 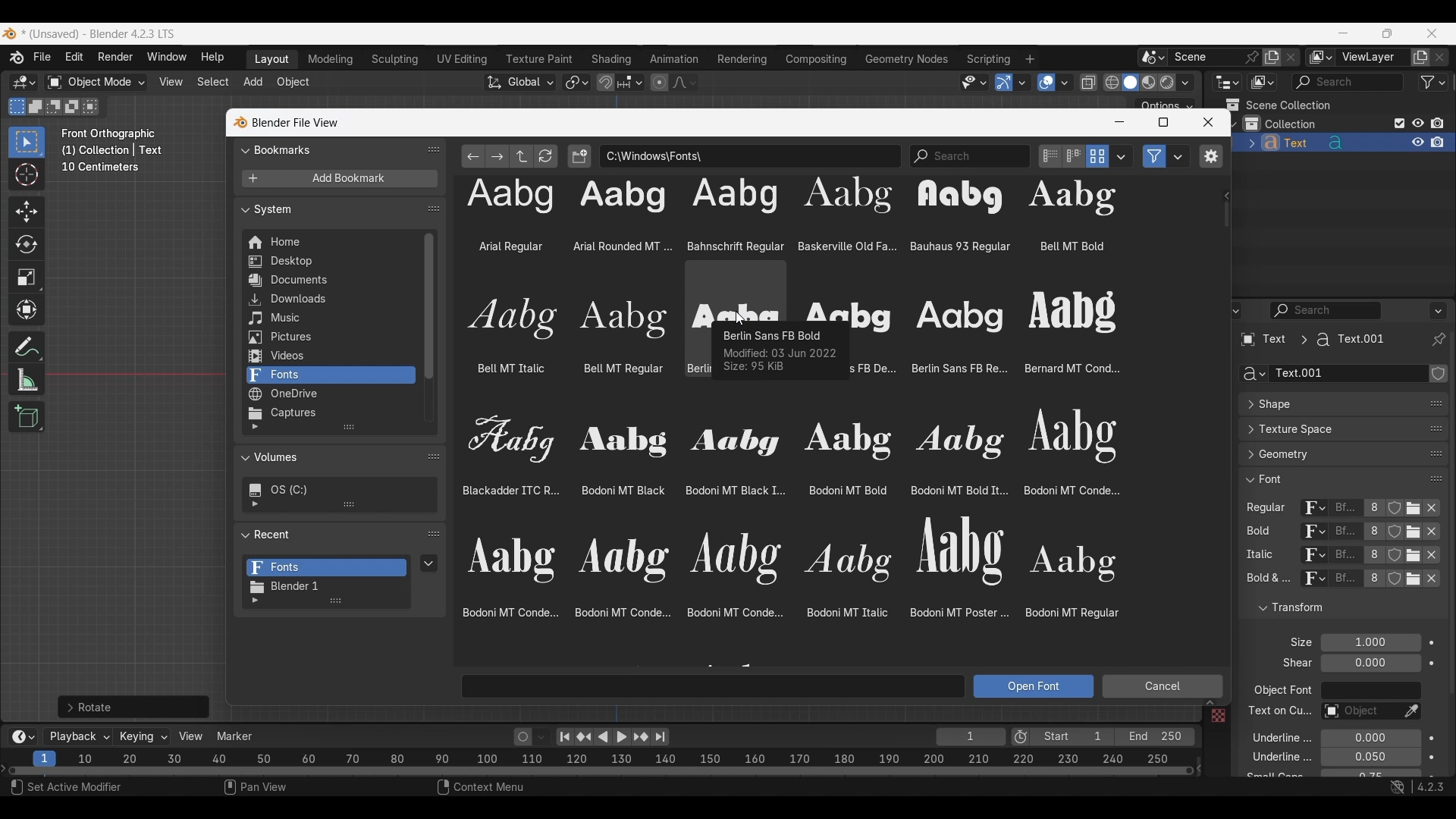 I want to click on Display mode, so click(x=1097, y=156).